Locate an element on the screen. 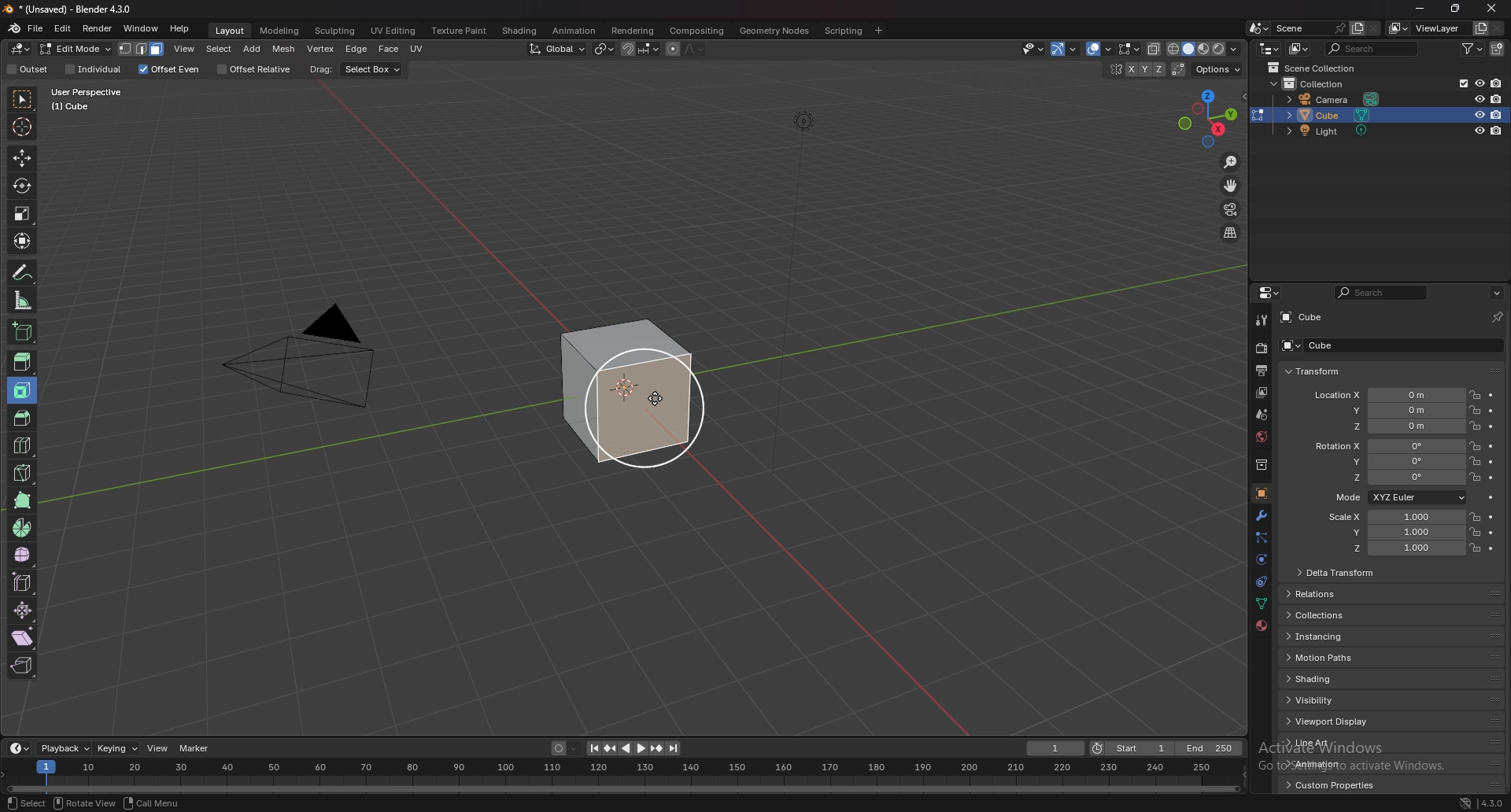 The height and width of the screenshot is (812, 1511). animate property is located at coordinates (1492, 426).